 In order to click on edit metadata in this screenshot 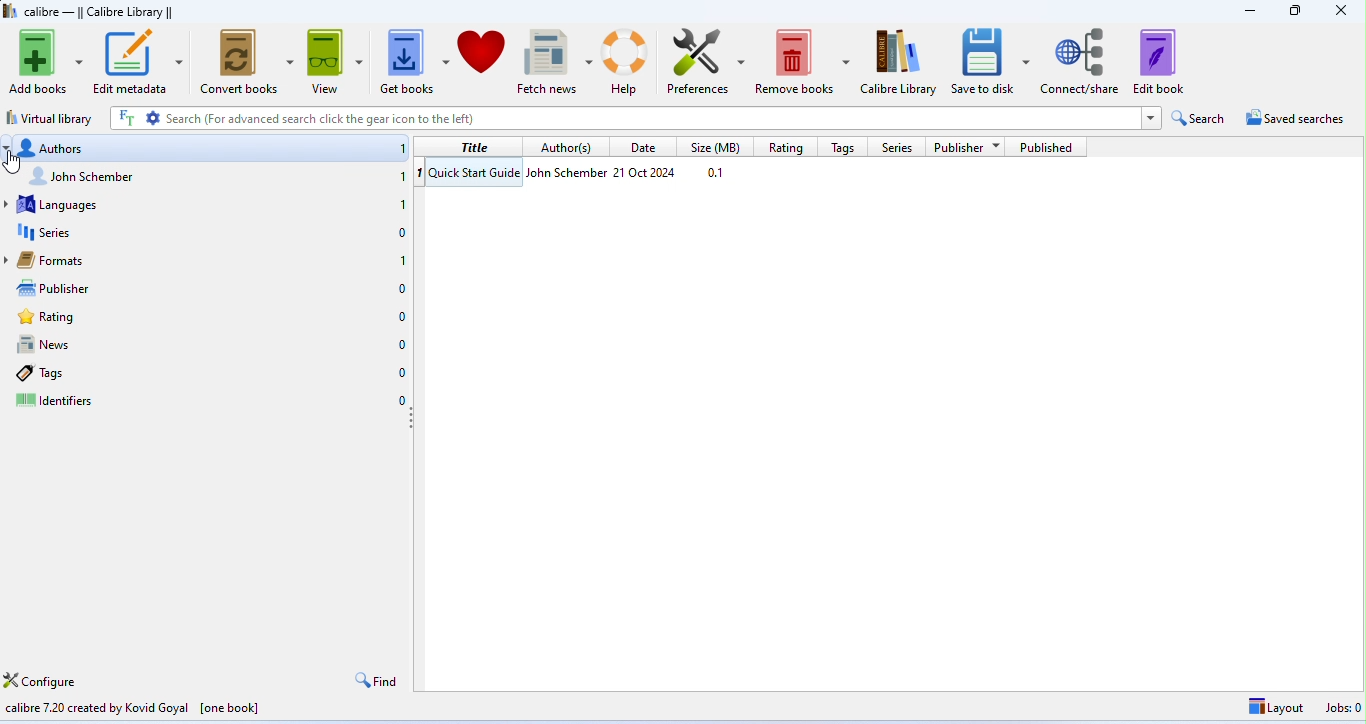, I will do `click(139, 61)`.